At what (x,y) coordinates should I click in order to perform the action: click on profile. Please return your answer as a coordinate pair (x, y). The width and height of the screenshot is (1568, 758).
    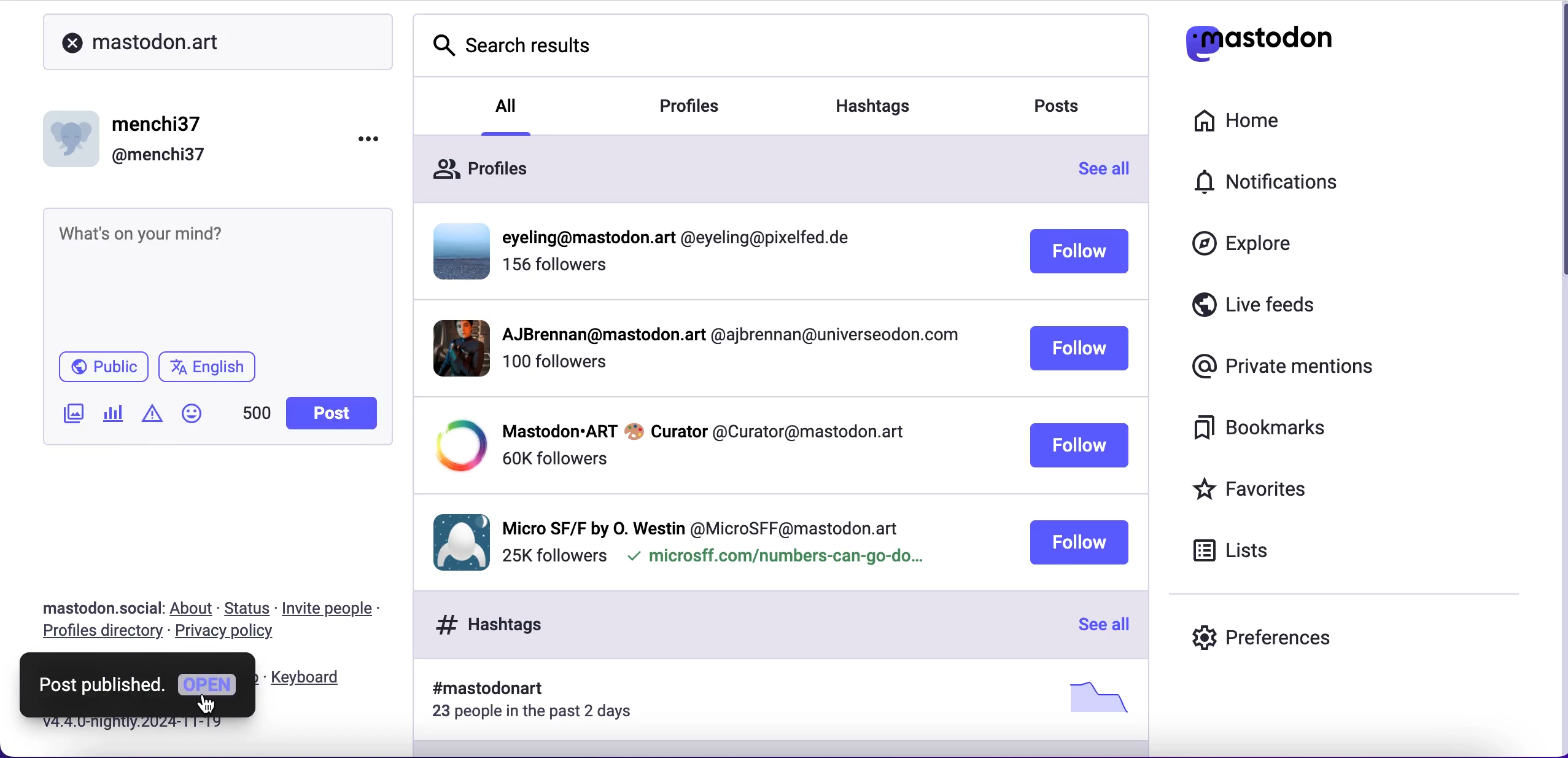
    Looking at the image, I should click on (728, 338).